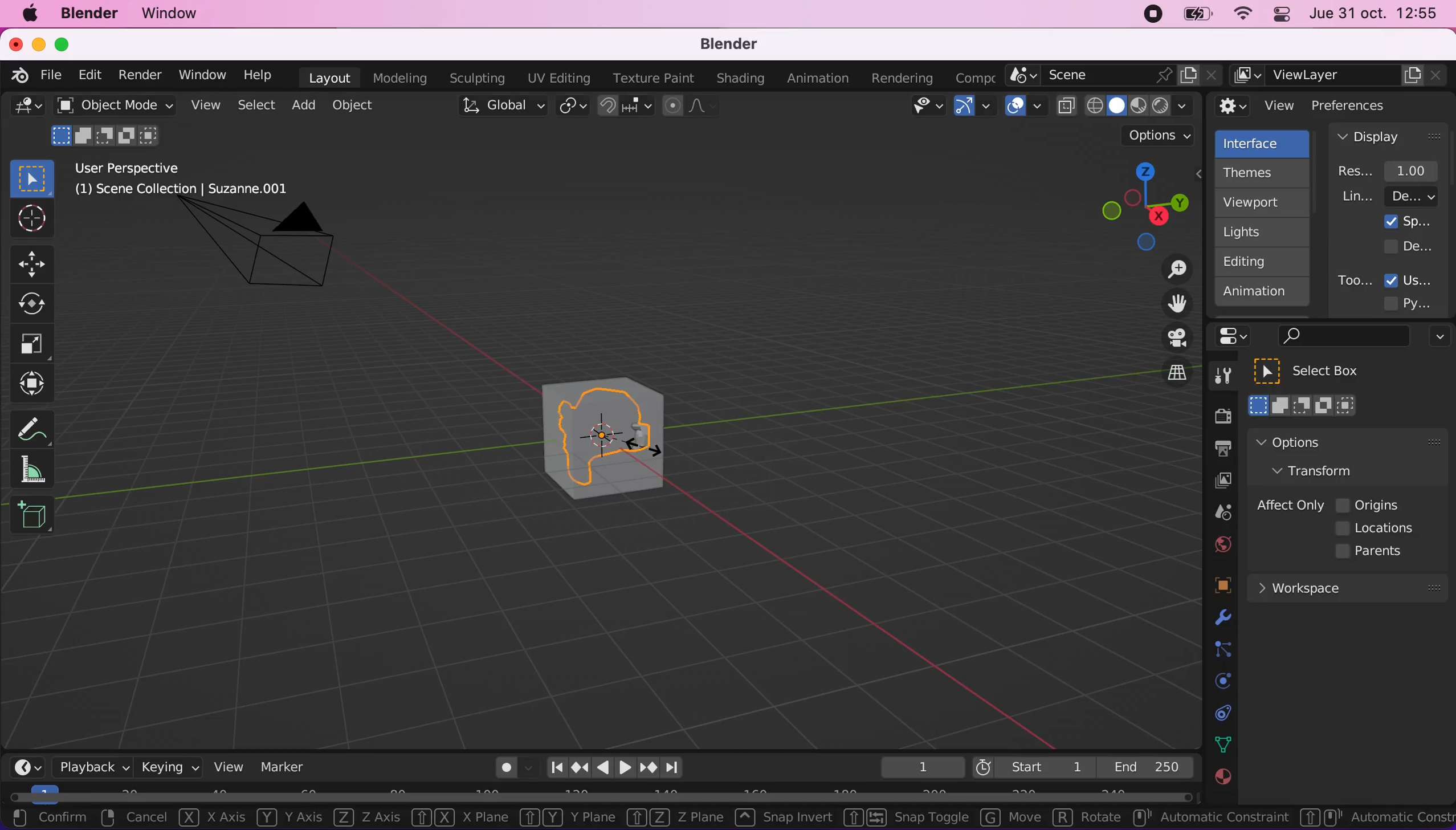 Image resolution: width=1456 pixels, height=830 pixels. Describe the element at coordinates (1264, 142) in the screenshot. I see `interface` at that location.